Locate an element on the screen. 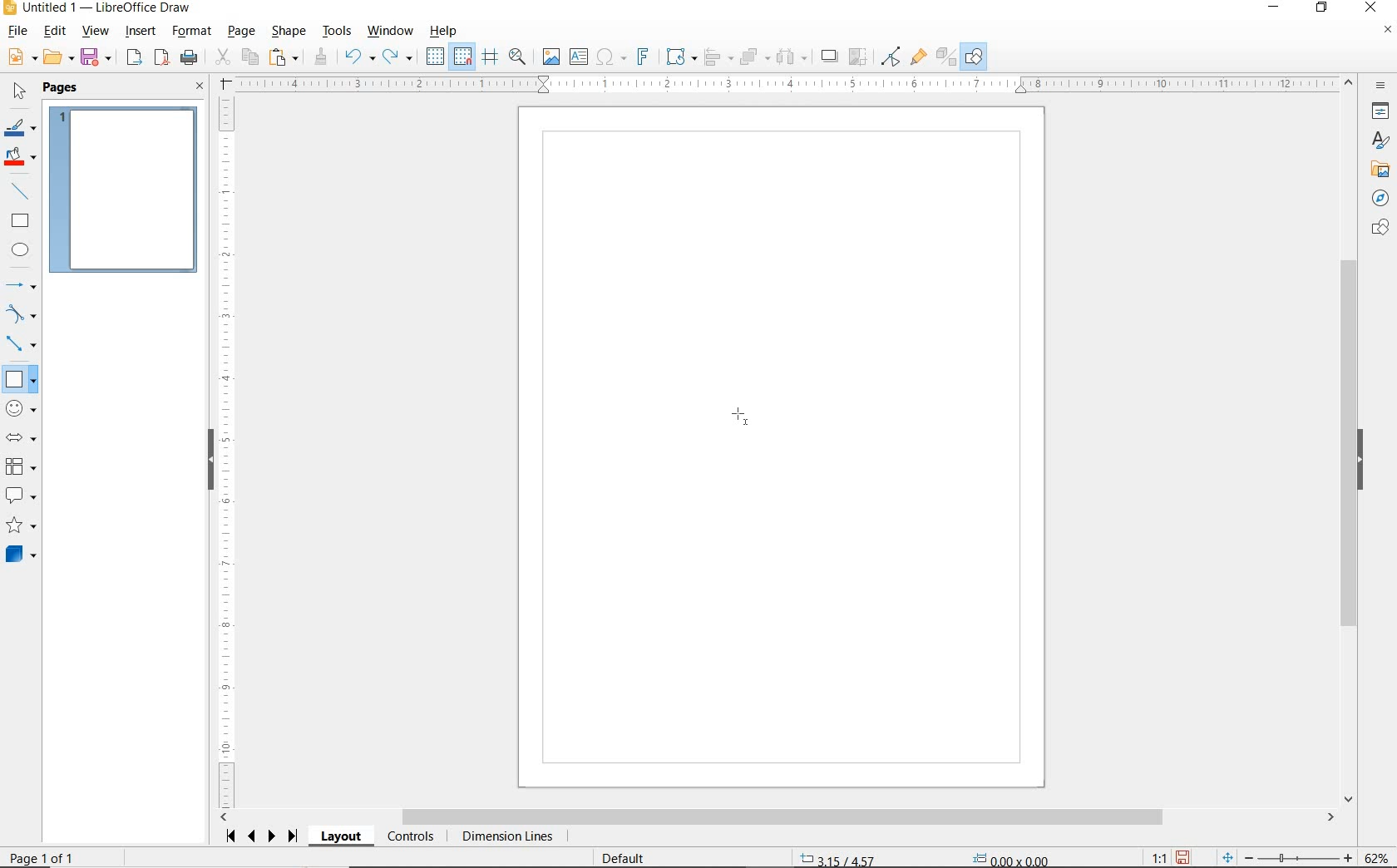  SAVE is located at coordinates (1182, 857).